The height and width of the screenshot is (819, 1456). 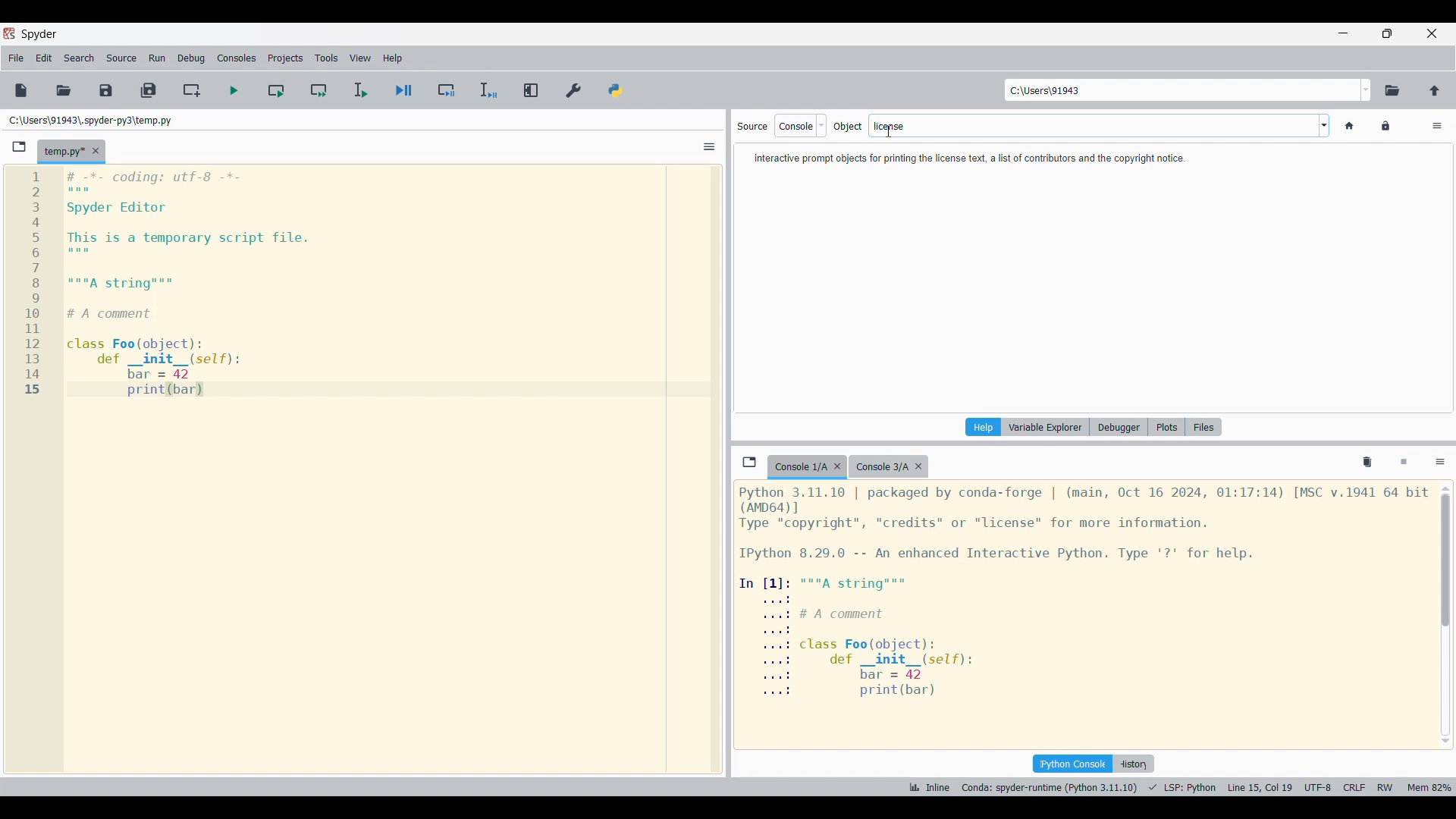 What do you see at coordinates (1203, 427) in the screenshot?
I see `Files` at bounding box center [1203, 427].